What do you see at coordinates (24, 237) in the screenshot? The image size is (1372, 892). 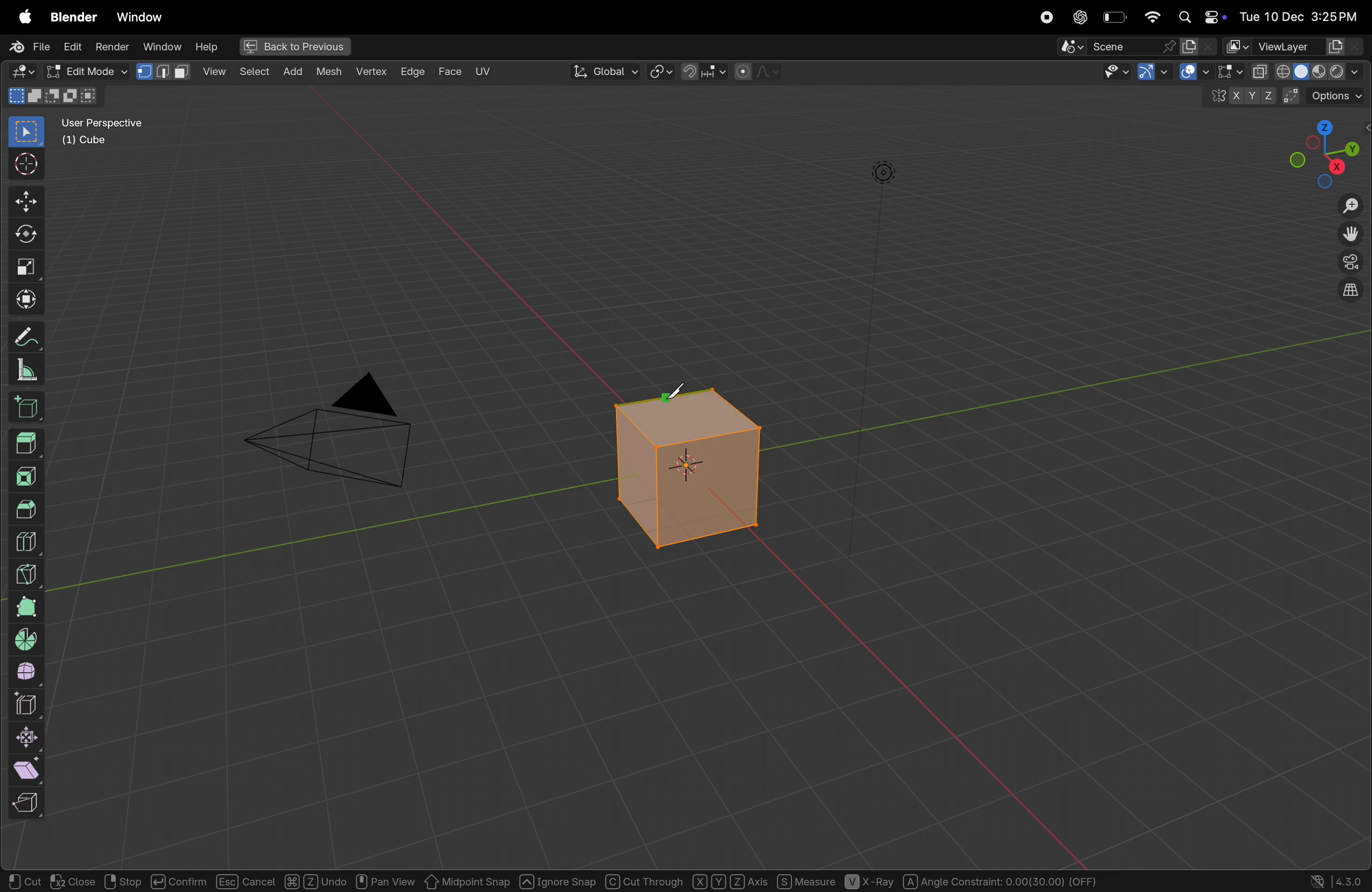 I see `transform` at bounding box center [24, 237].